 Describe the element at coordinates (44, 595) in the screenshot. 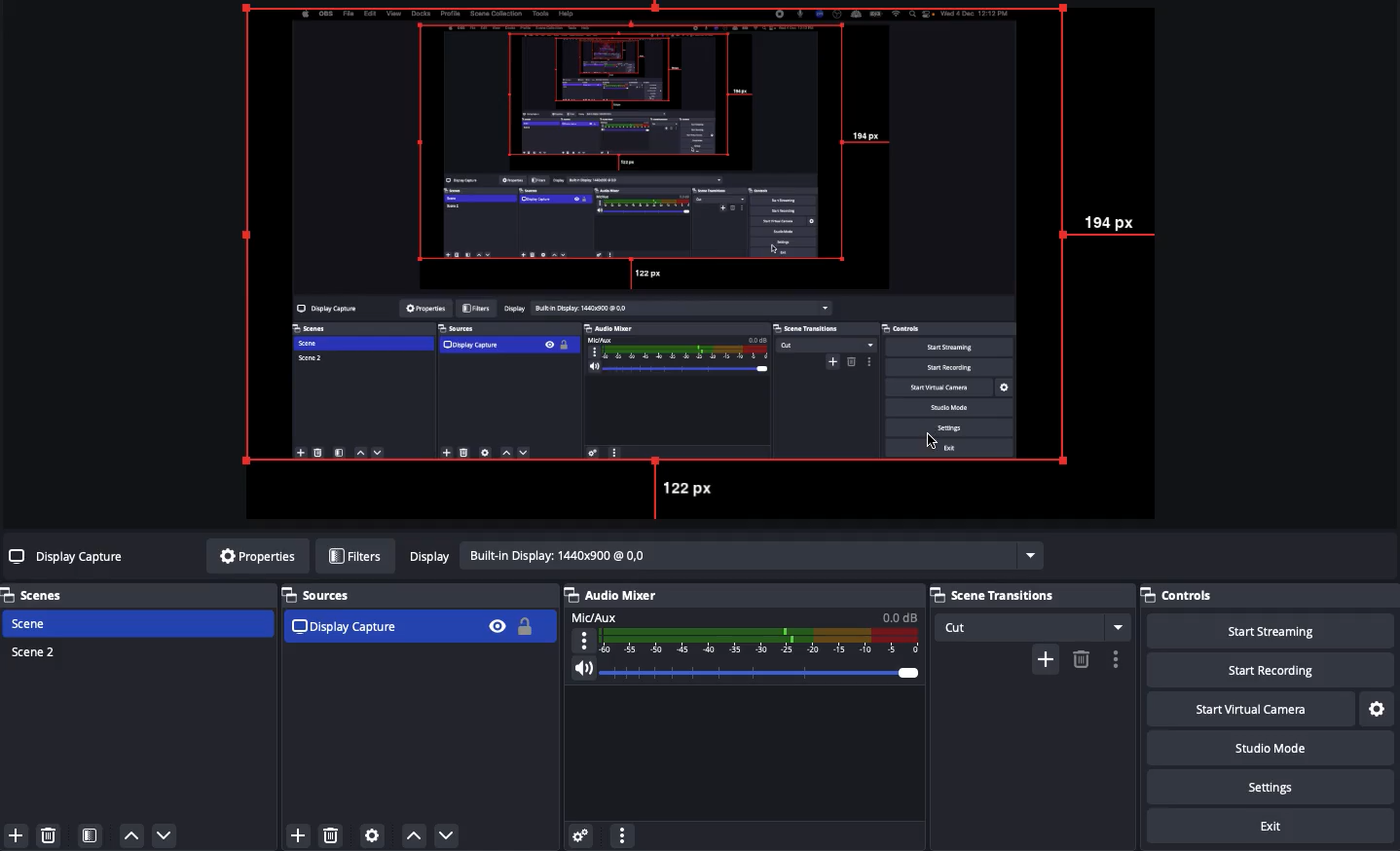

I see `Scenes` at that location.